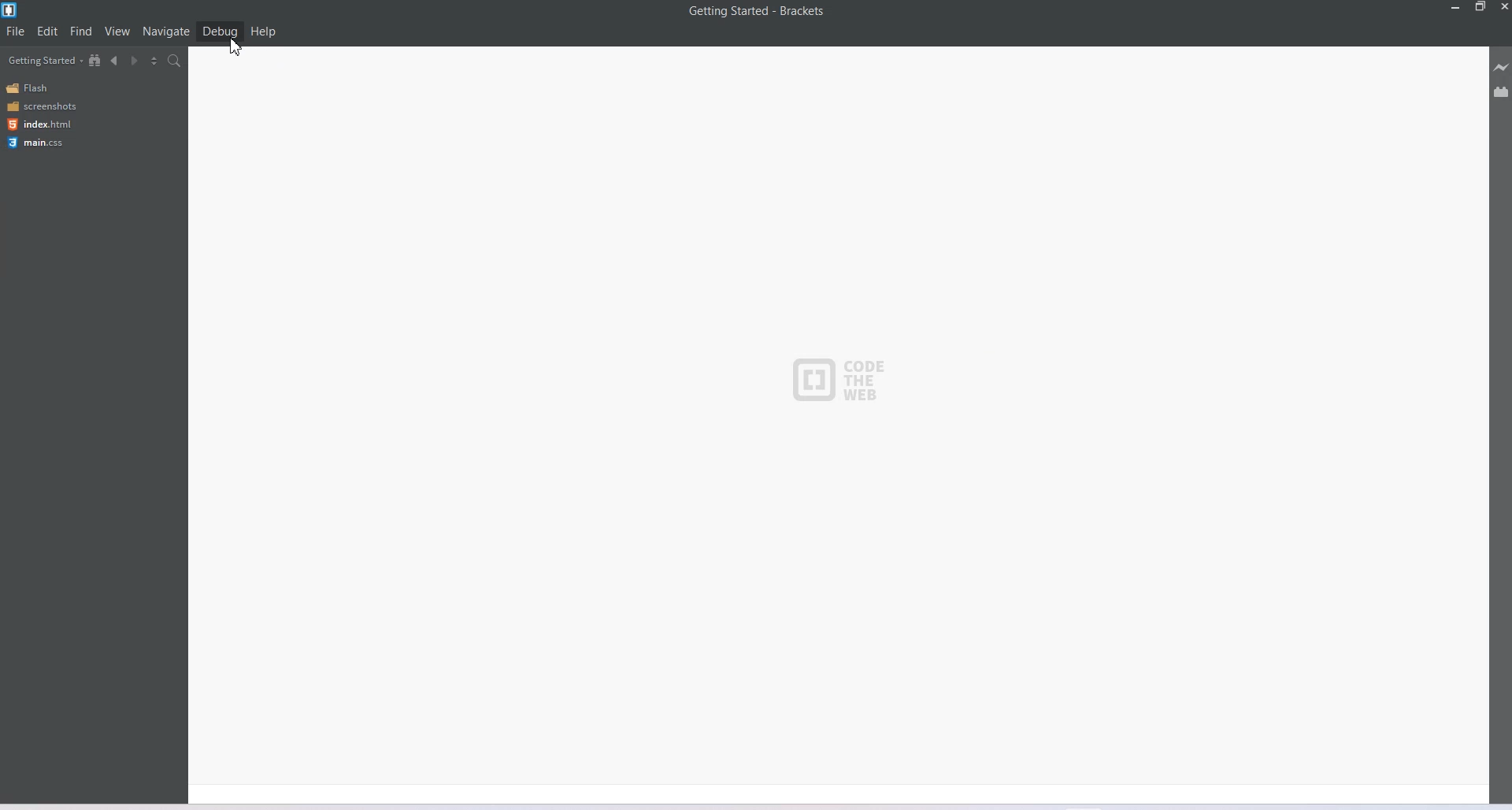 Image resolution: width=1512 pixels, height=810 pixels. Describe the element at coordinates (220, 32) in the screenshot. I see `Debug` at that location.